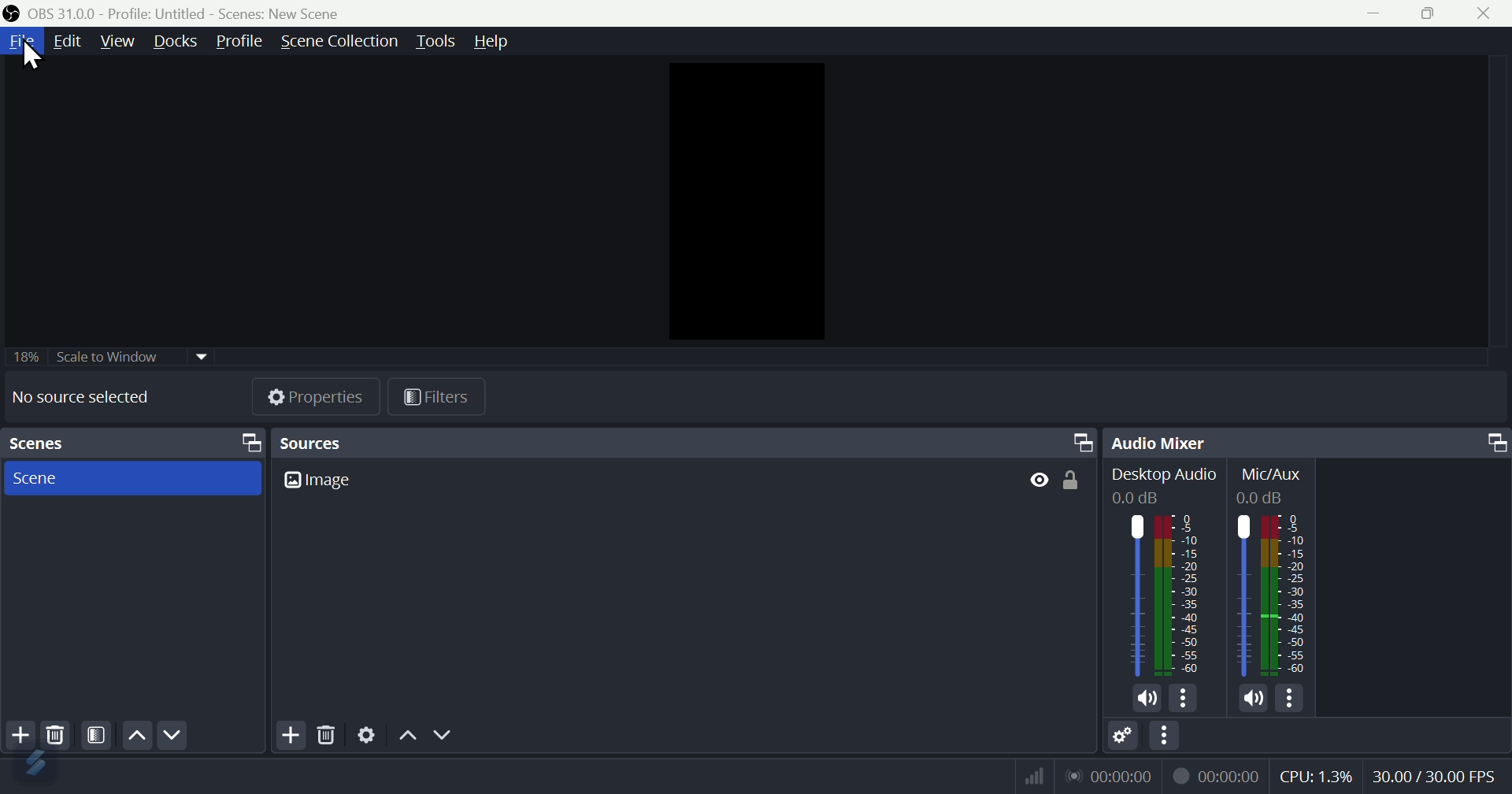 The height and width of the screenshot is (794, 1512). Describe the element at coordinates (329, 735) in the screenshot. I see `Delete` at that location.